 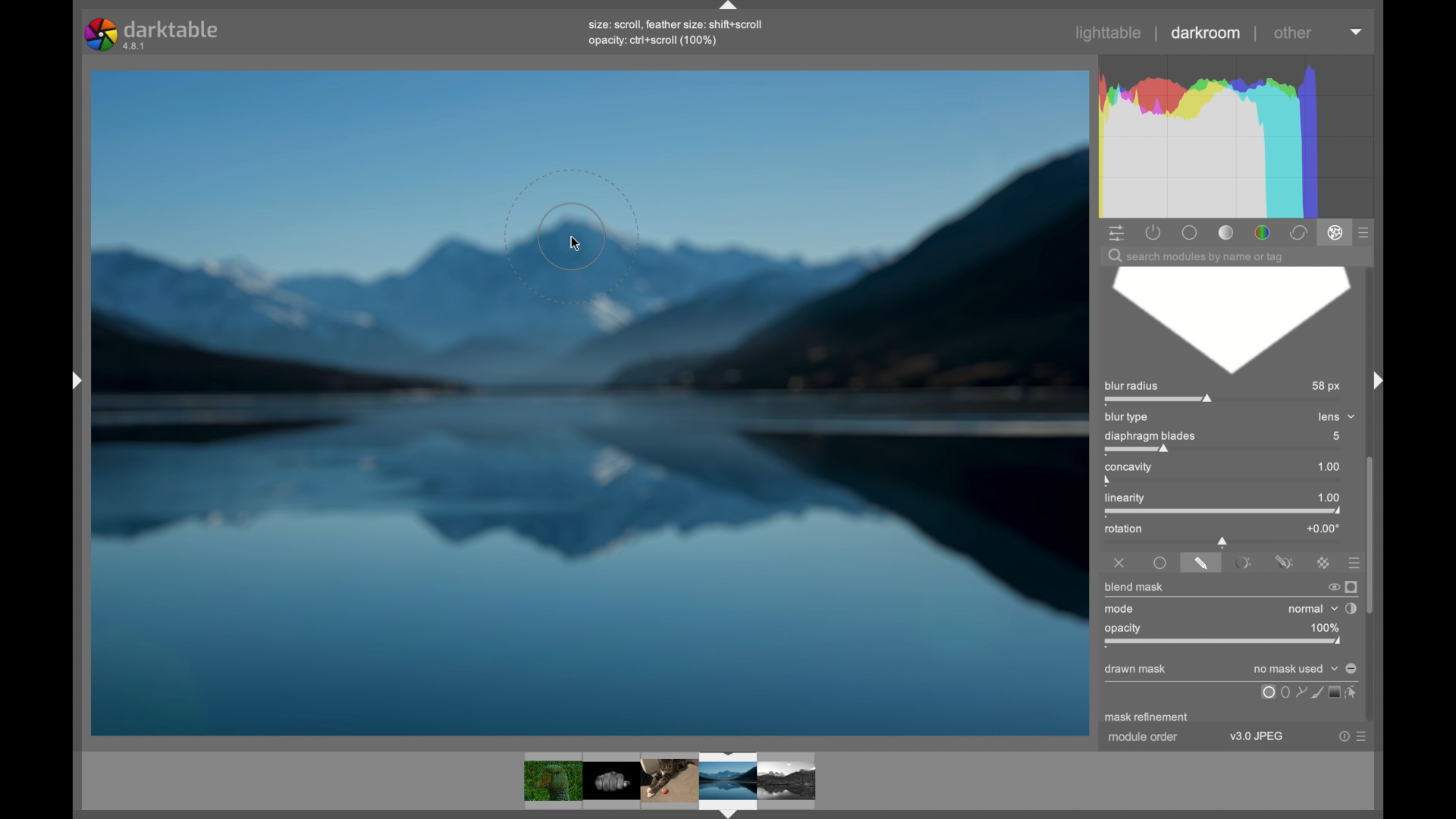 I want to click on drag handle, so click(x=730, y=7).